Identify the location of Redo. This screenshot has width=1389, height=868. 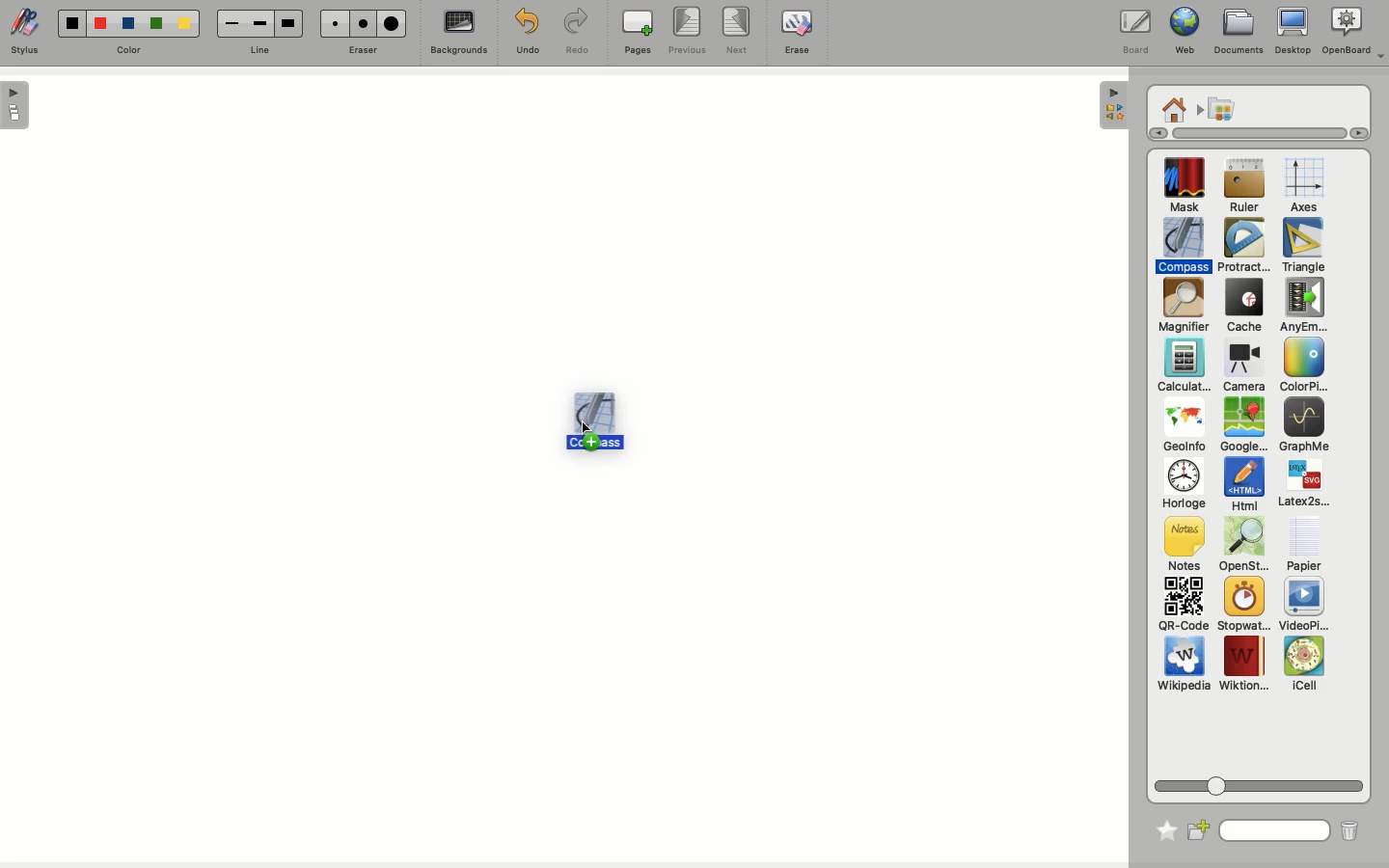
(578, 33).